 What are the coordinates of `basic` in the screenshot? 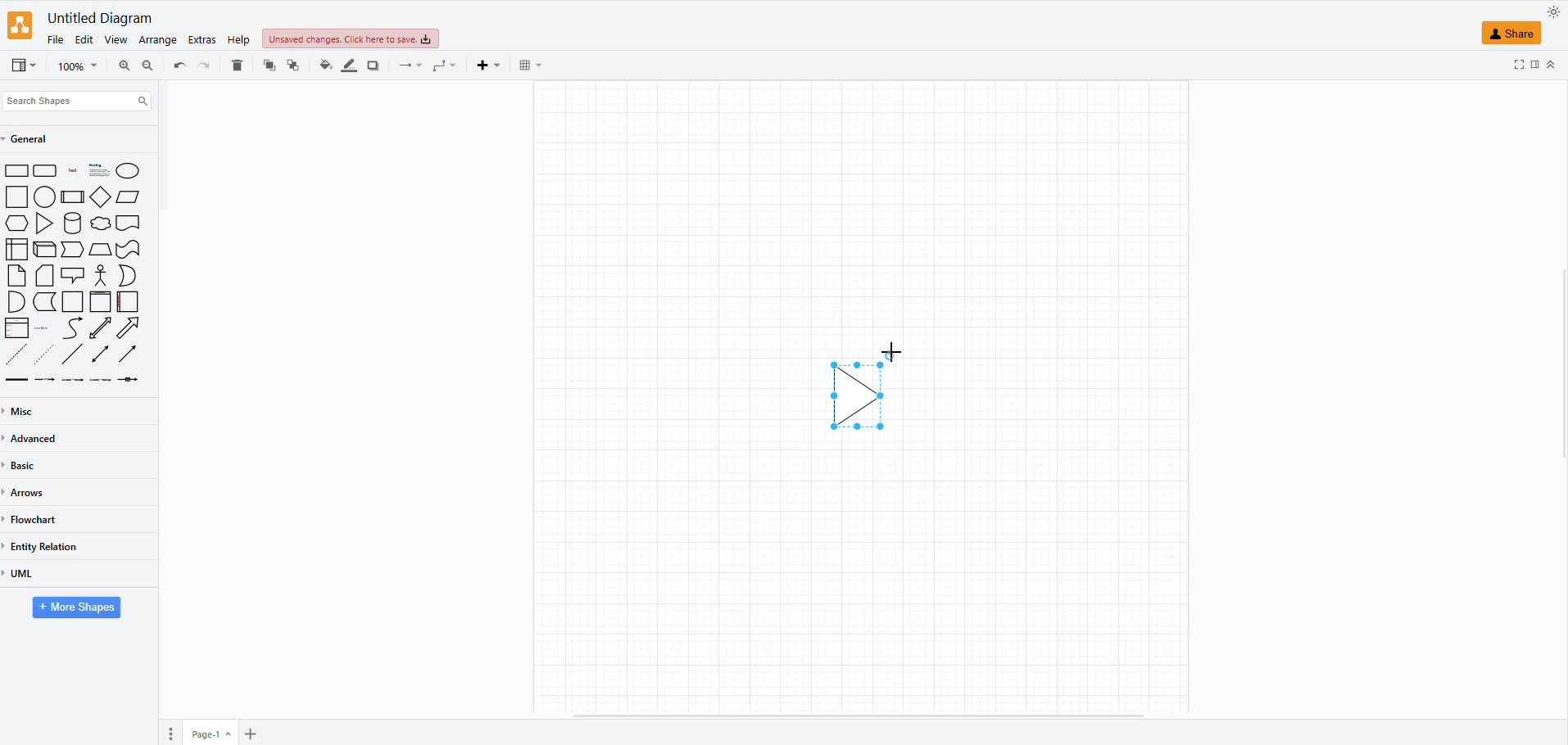 It's located at (27, 468).